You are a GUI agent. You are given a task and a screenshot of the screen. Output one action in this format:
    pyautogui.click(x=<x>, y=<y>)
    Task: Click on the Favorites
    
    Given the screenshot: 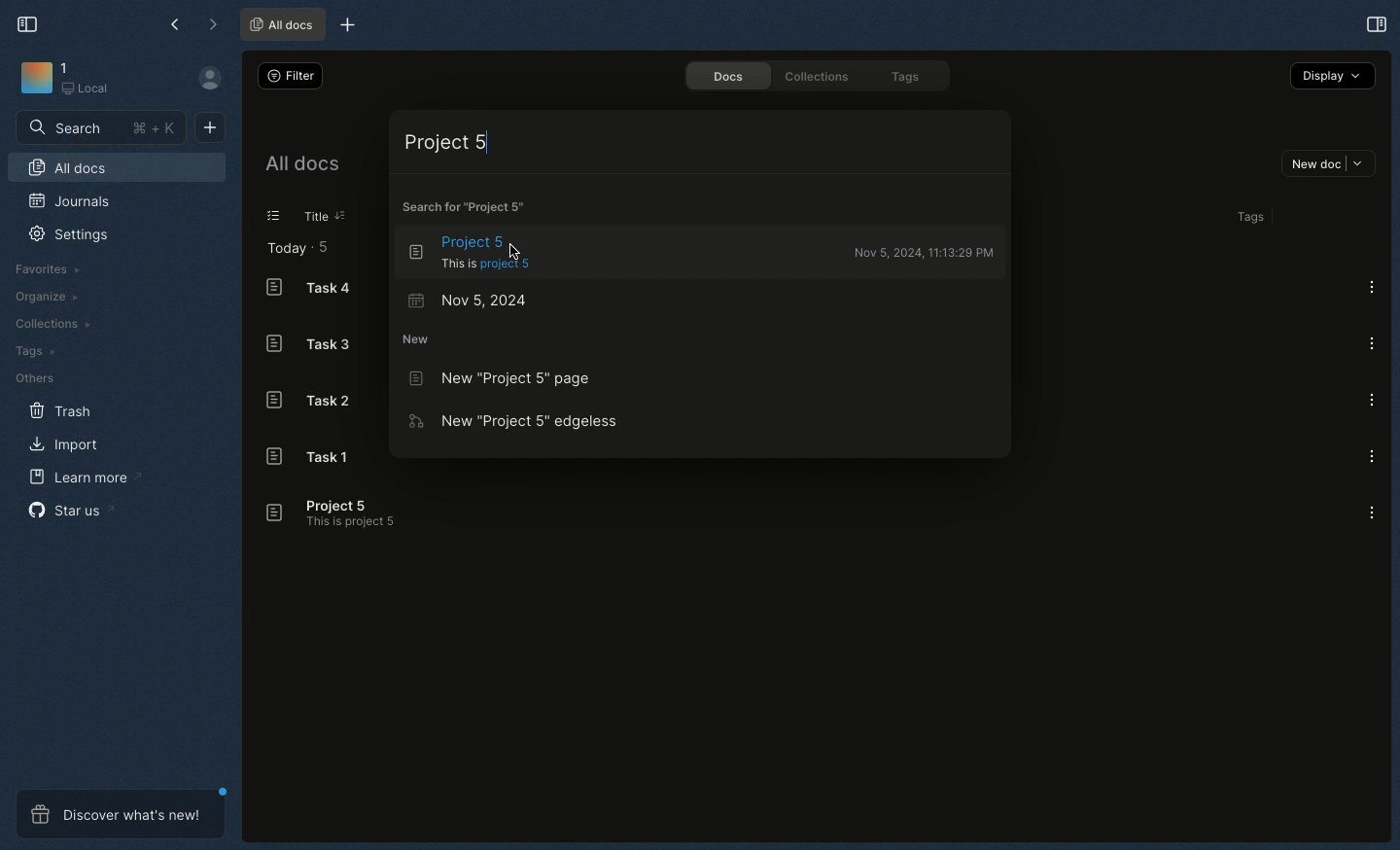 What is the action you would take?
    pyautogui.click(x=43, y=269)
    